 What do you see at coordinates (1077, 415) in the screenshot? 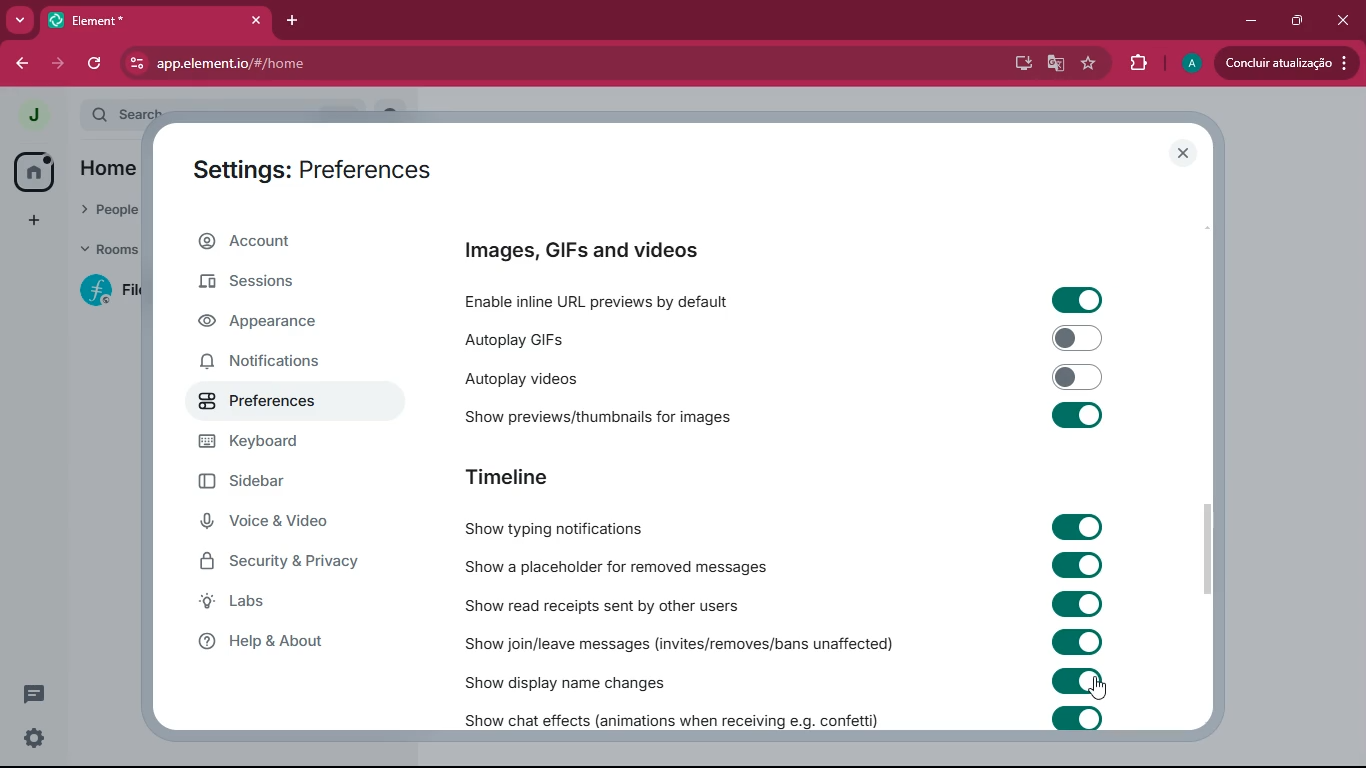
I see `toggle on/off` at bounding box center [1077, 415].